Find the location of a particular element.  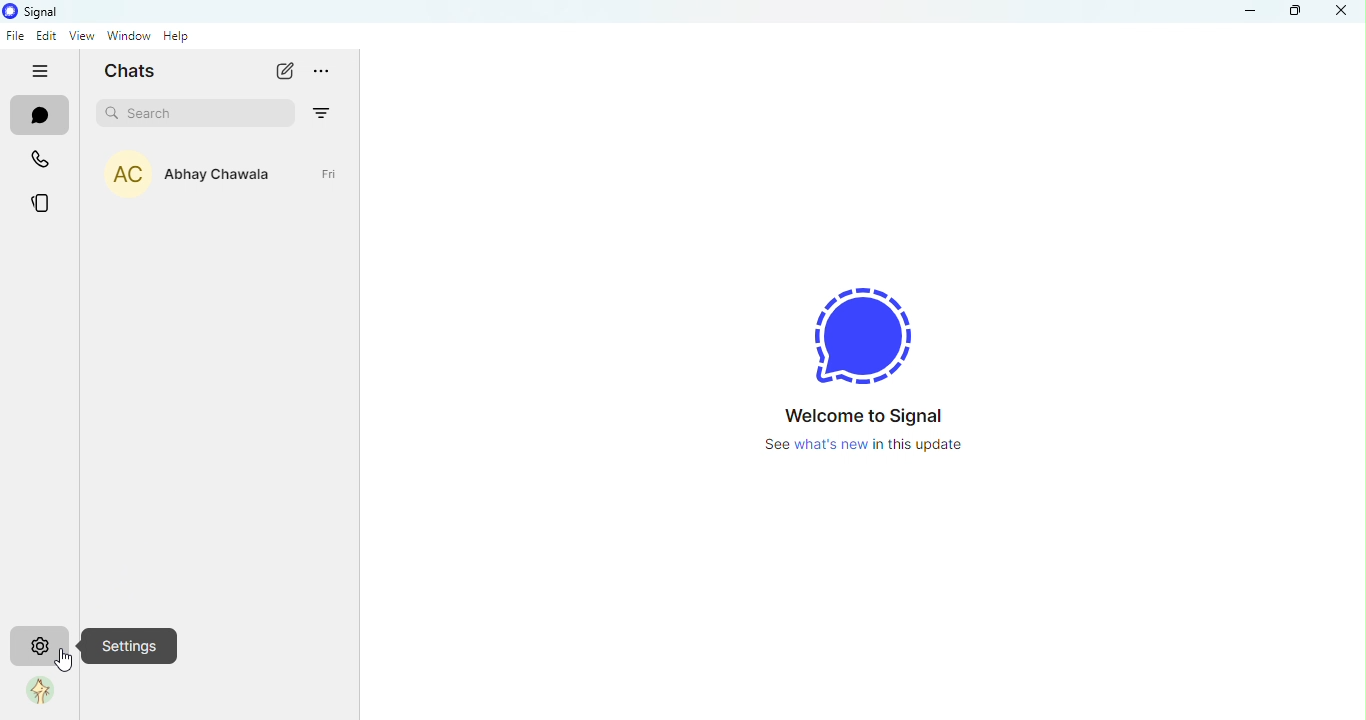

icon is located at coordinates (868, 325).